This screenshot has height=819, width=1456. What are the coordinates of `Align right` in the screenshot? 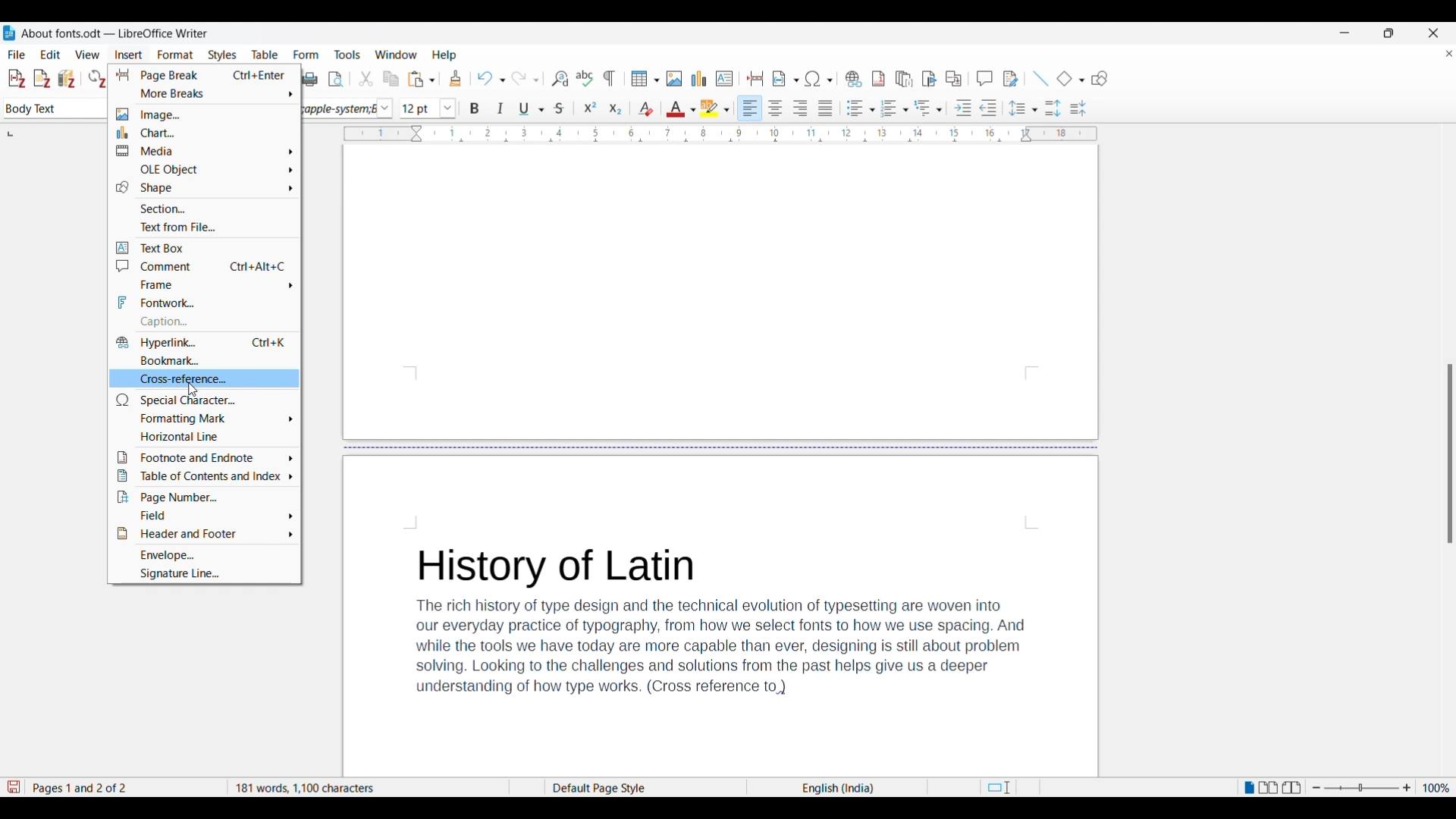 It's located at (800, 108).